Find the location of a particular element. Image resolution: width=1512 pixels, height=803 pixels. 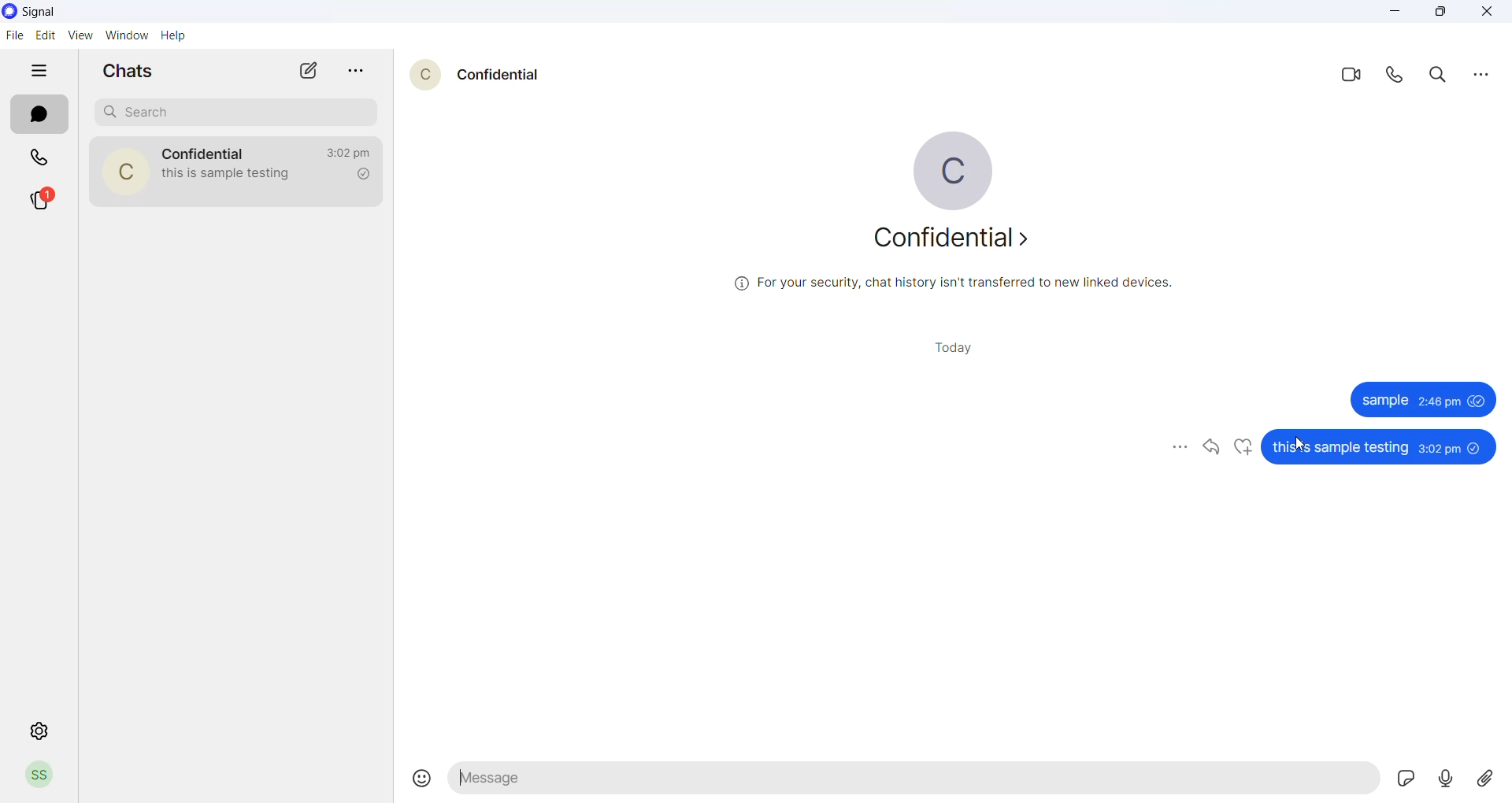

new message is located at coordinates (310, 71).